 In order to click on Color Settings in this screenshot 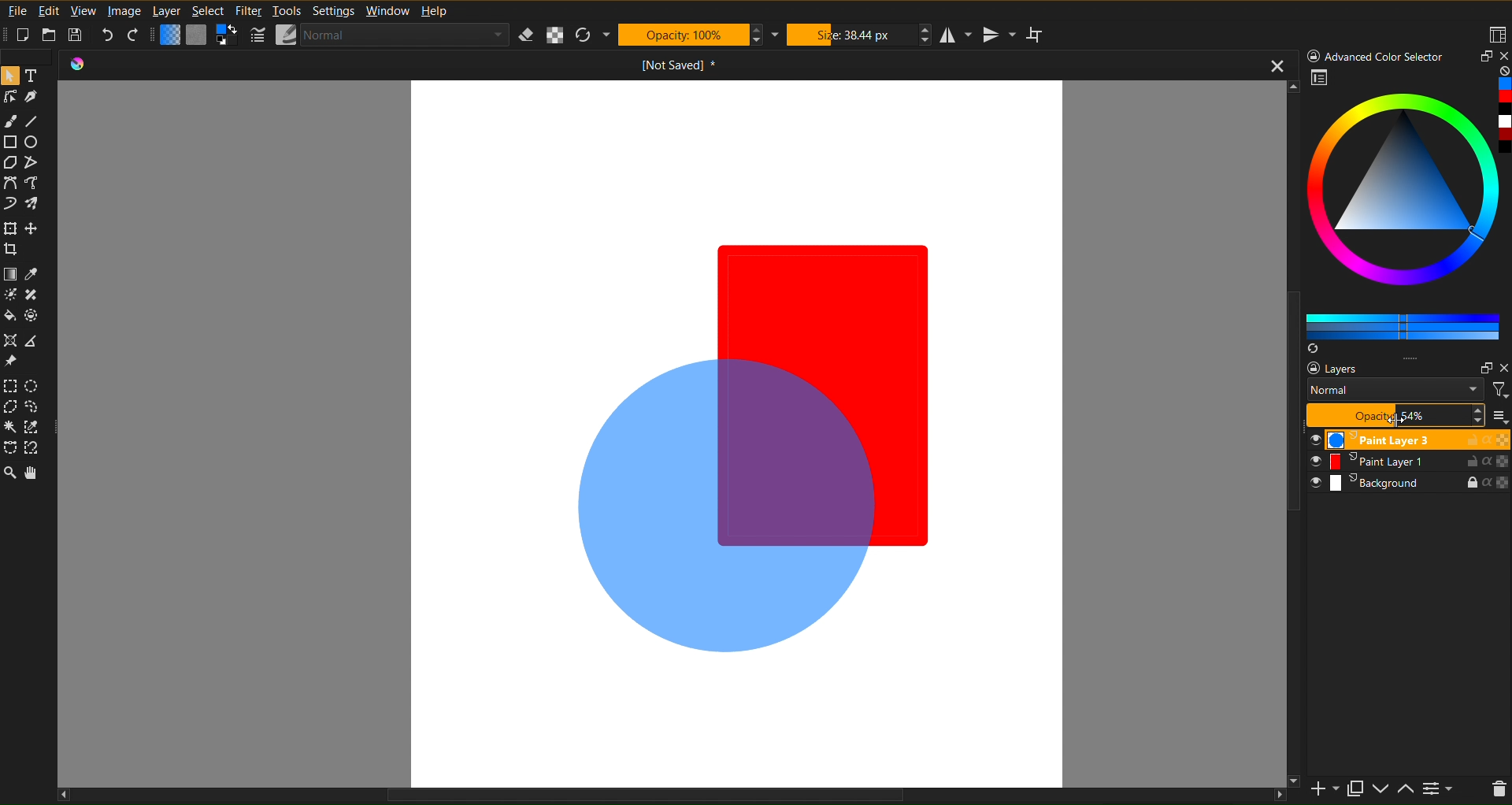, I will do `click(199, 39)`.